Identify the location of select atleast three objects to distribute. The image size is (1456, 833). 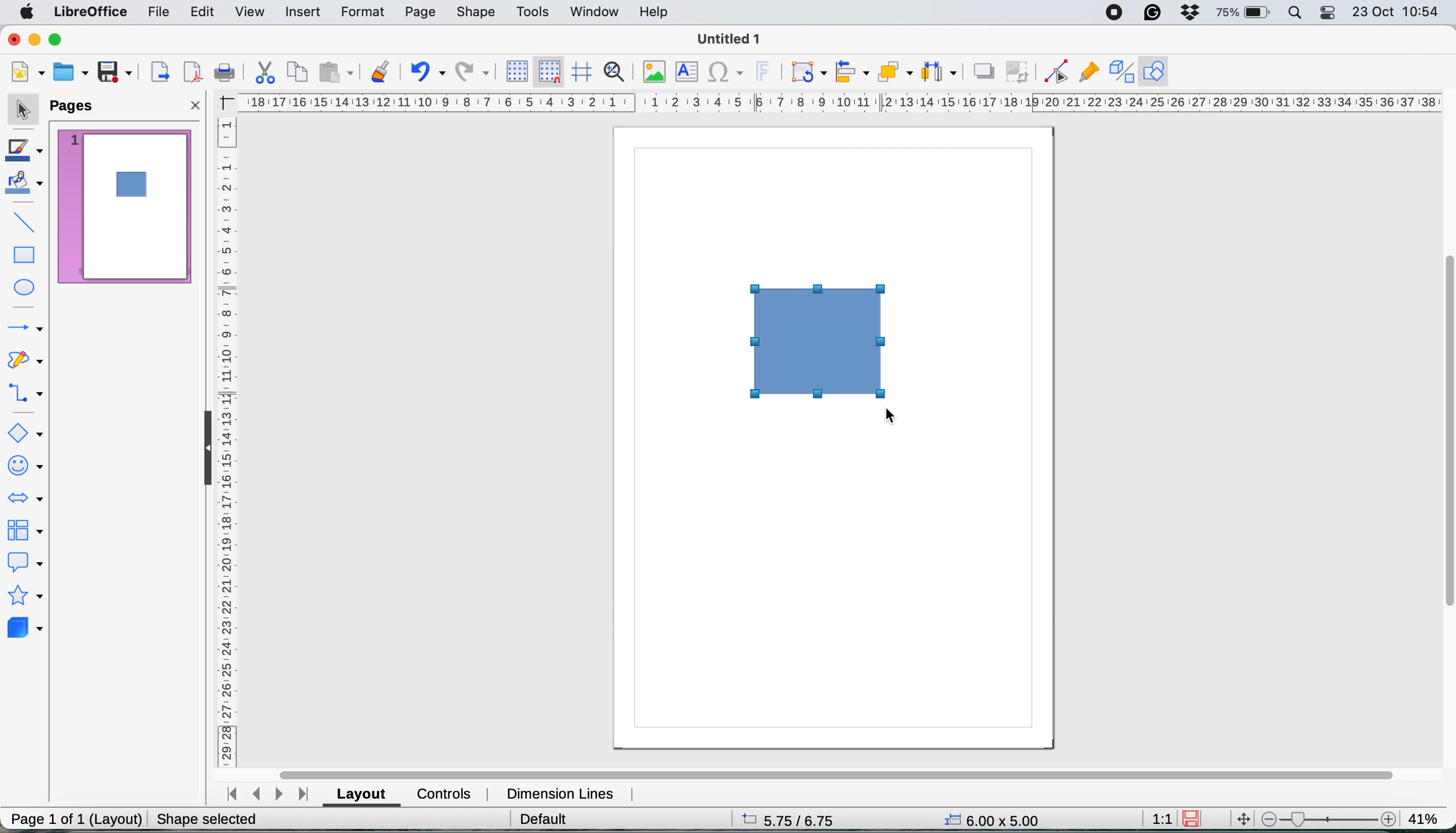
(943, 72).